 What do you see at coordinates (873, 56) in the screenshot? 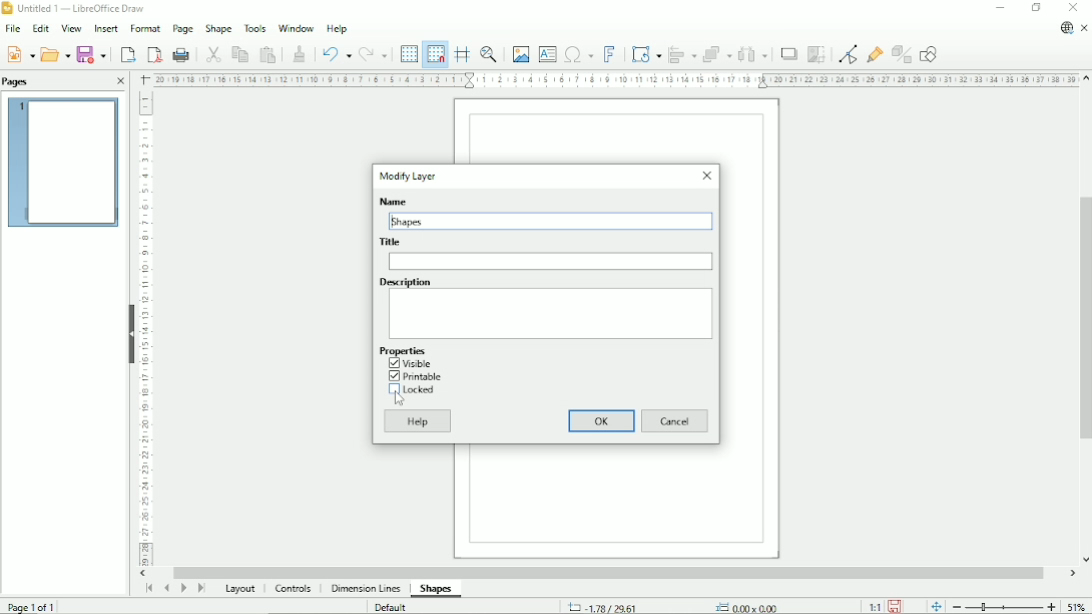
I see `Show gluepoint functions` at bounding box center [873, 56].